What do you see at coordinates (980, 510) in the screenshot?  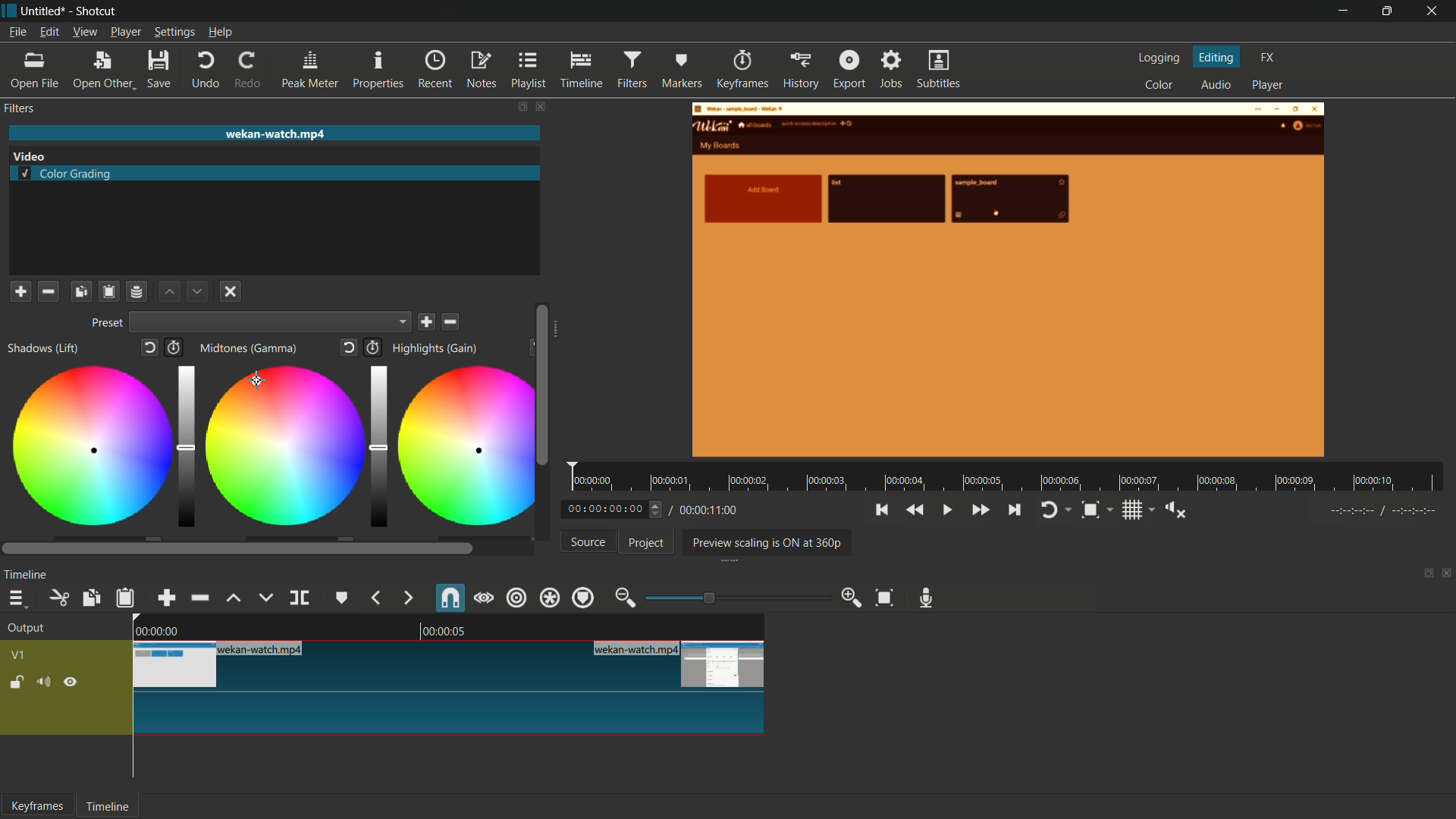 I see `quickly play forward` at bounding box center [980, 510].